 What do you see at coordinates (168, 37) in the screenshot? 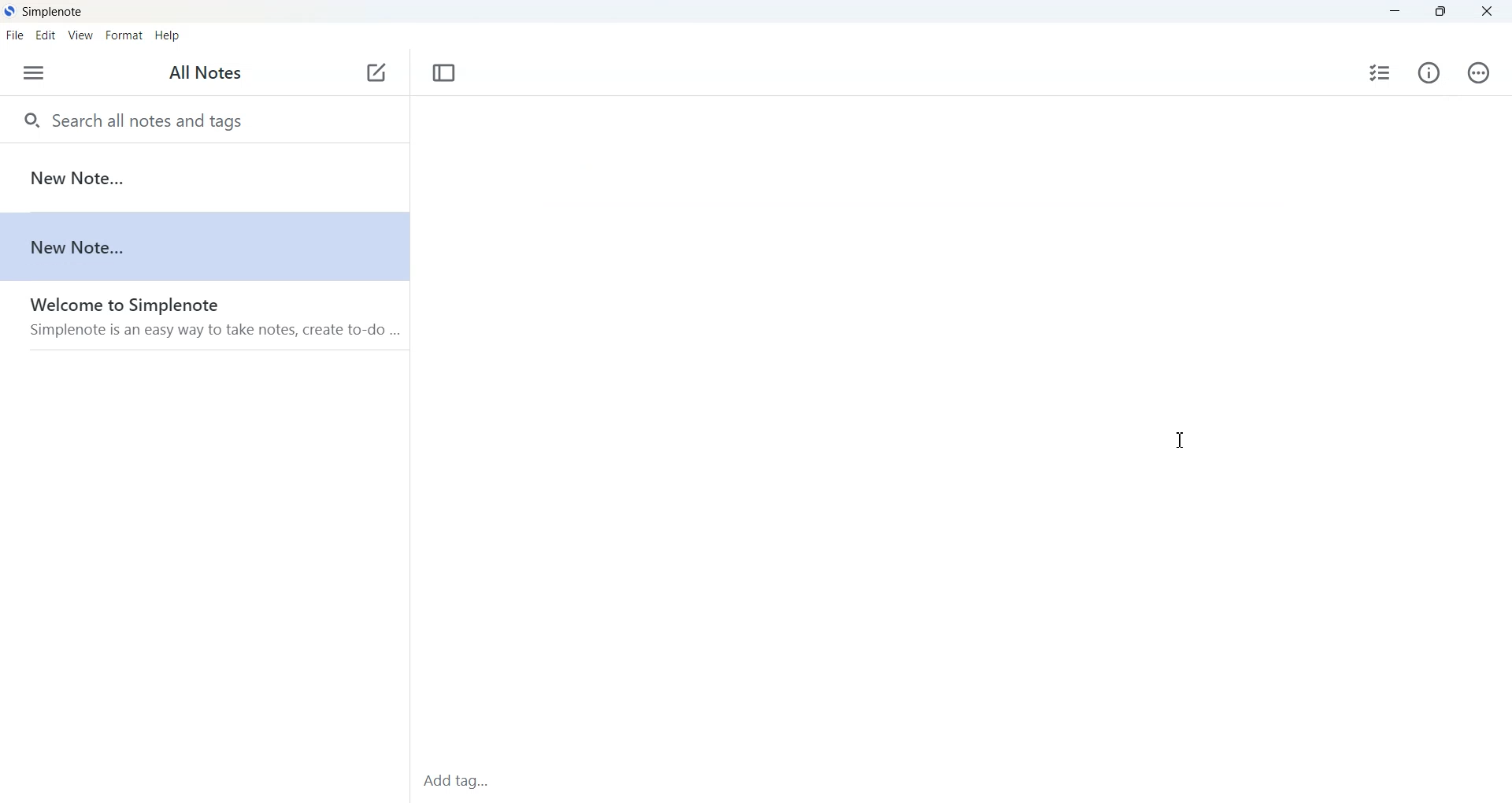
I see `Help` at bounding box center [168, 37].